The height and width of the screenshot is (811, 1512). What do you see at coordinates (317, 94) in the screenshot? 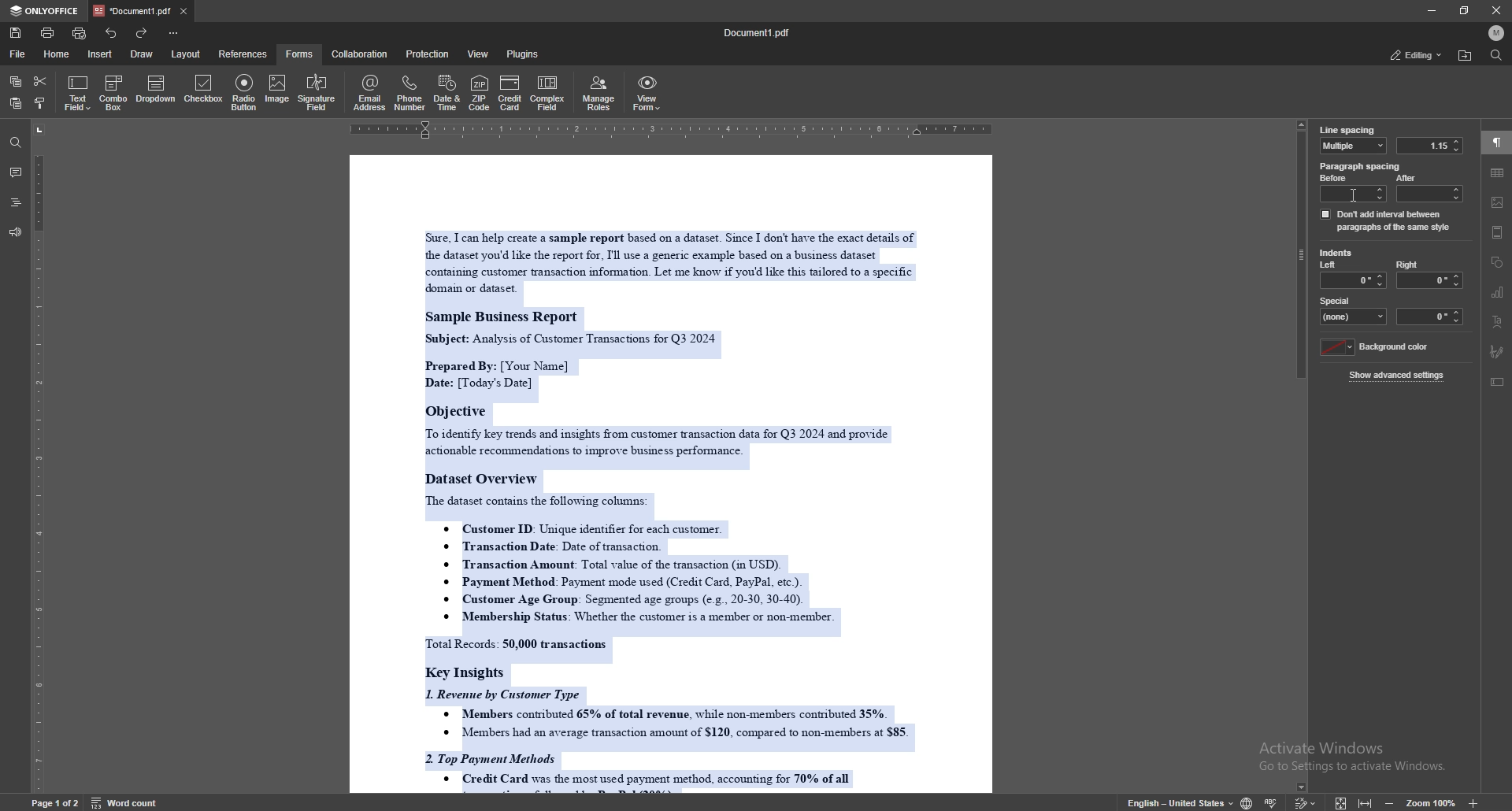
I see `signature field` at bounding box center [317, 94].